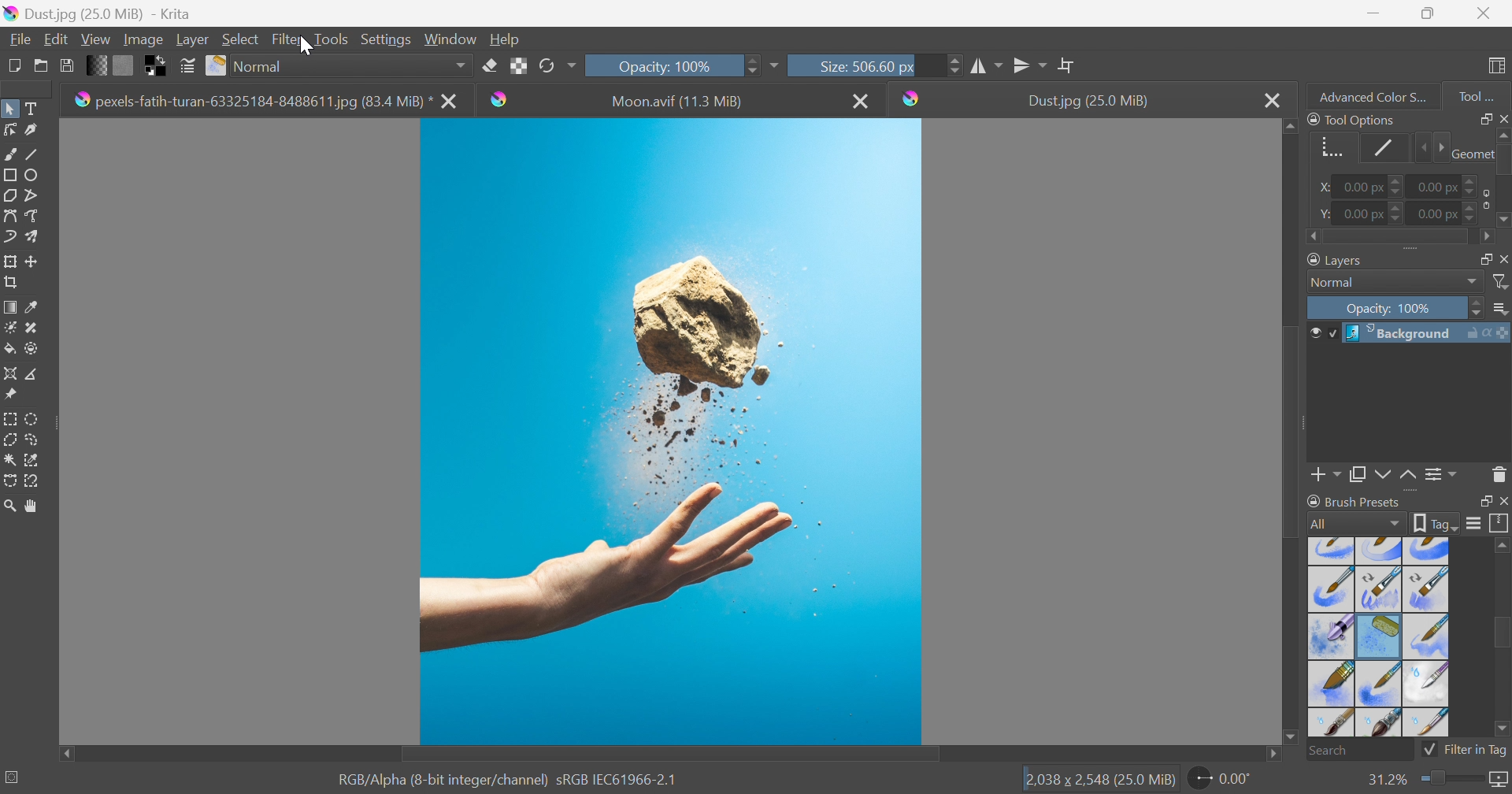 The width and height of the screenshot is (1512, 794). What do you see at coordinates (35, 261) in the screenshot?
I see `Move a layer` at bounding box center [35, 261].